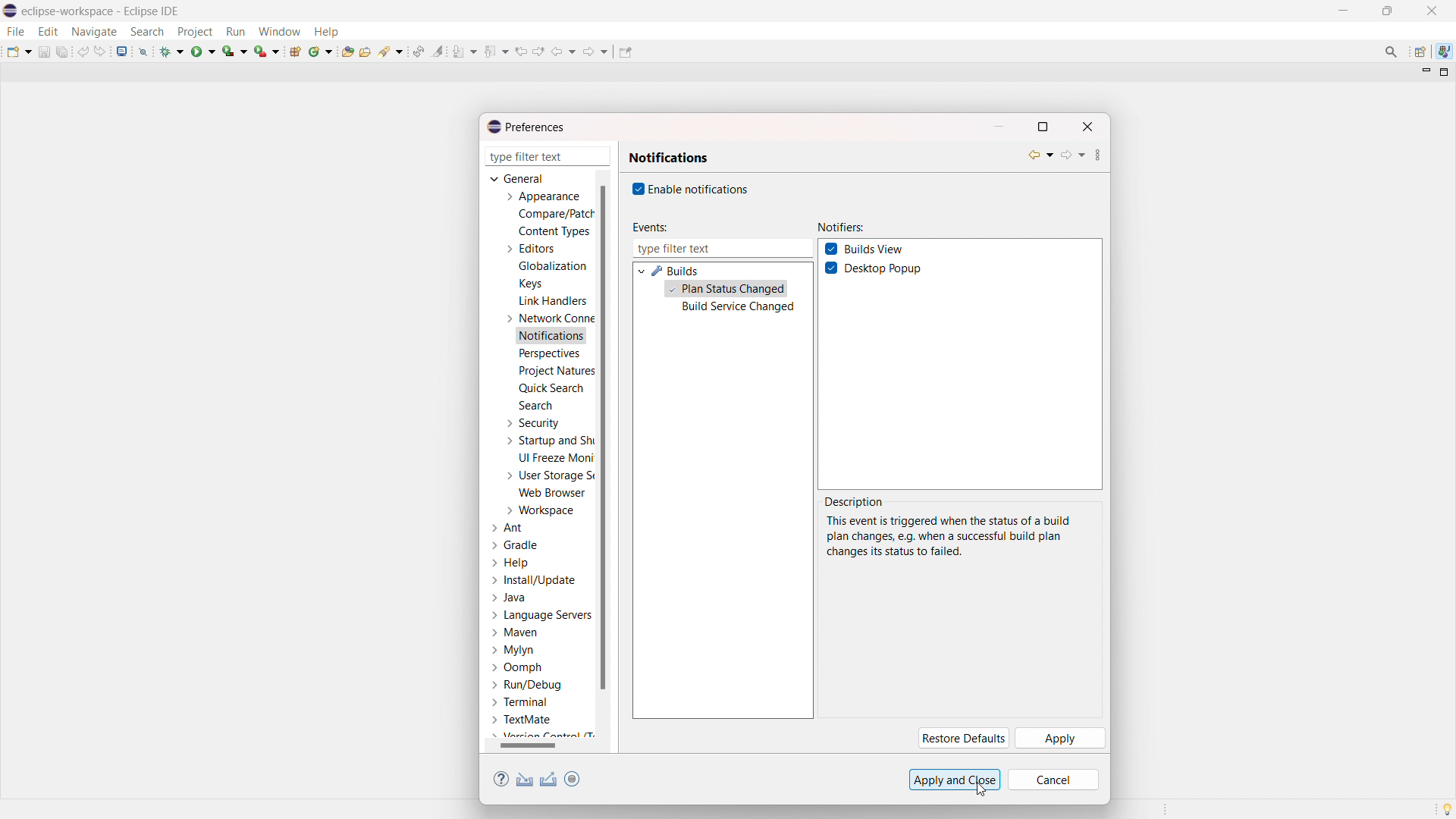  Describe the element at coordinates (535, 581) in the screenshot. I see `install/update` at that location.